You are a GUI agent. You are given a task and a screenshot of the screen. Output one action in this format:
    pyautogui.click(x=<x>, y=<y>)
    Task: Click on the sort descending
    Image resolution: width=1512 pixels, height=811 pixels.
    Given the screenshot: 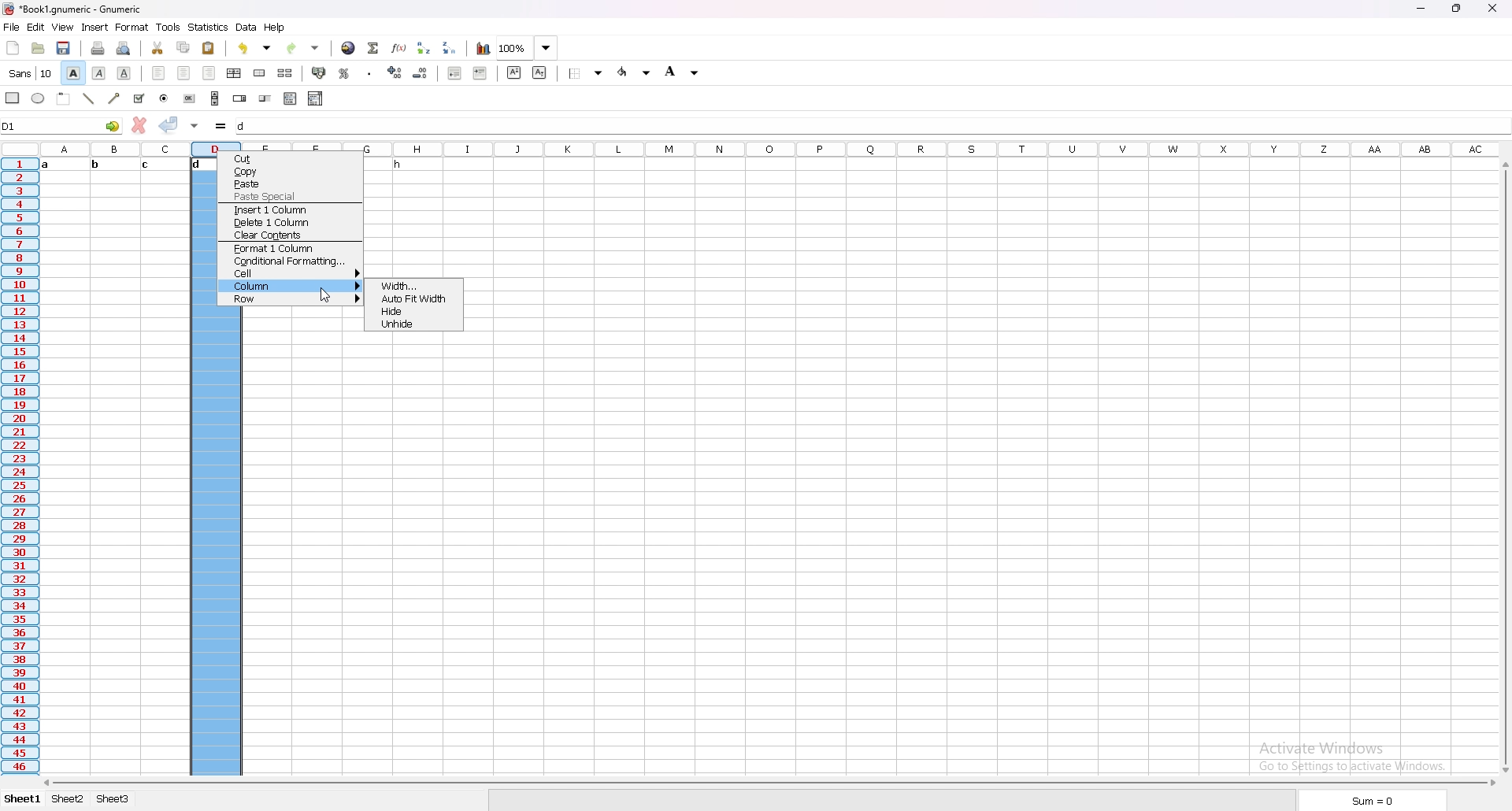 What is the action you would take?
    pyautogui.click(x=450, y=47)
    